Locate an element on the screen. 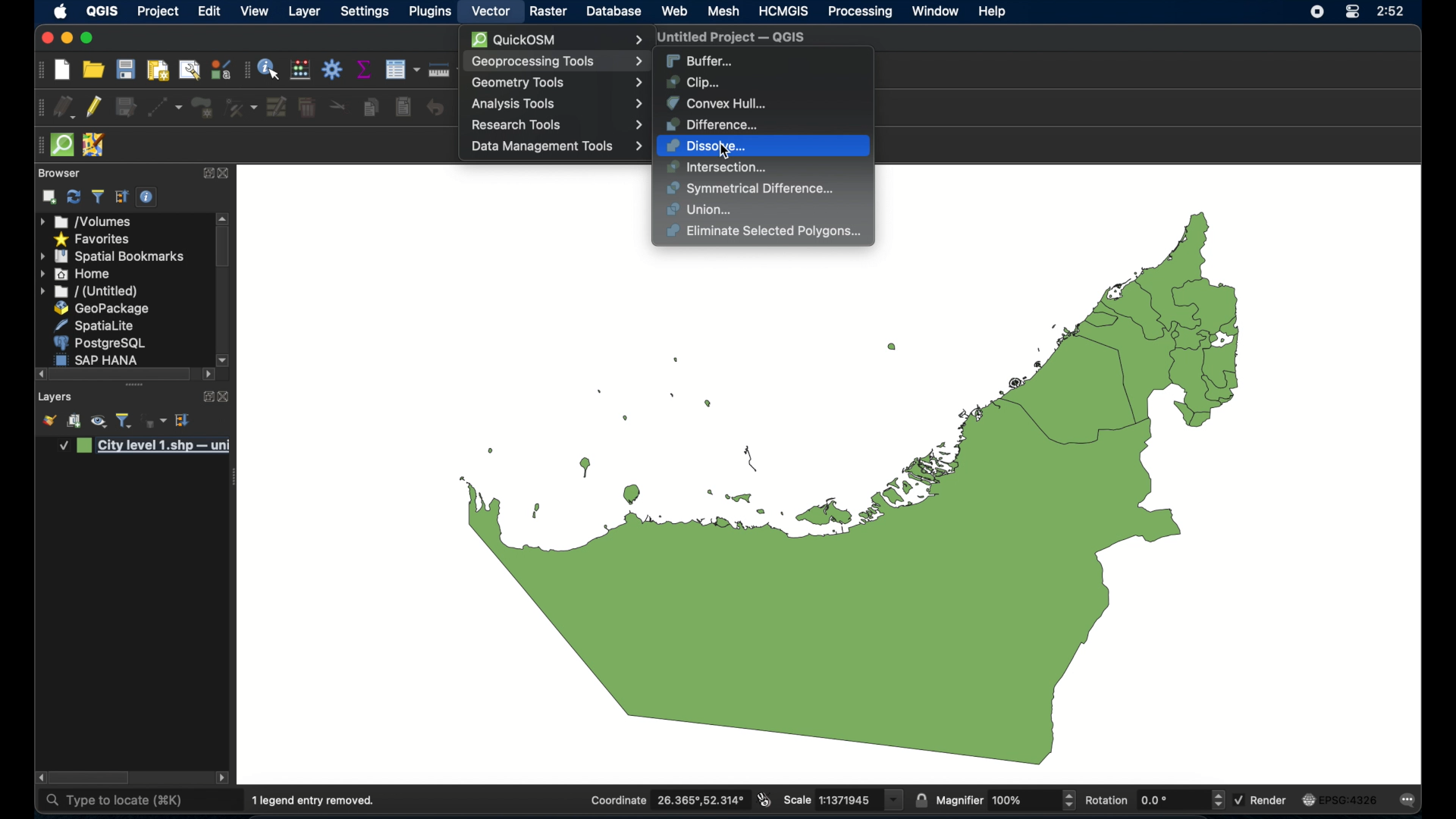 Image resolution: width=1456 pixels, height=819 pixels. control center is located at coordinates (1351, 12).